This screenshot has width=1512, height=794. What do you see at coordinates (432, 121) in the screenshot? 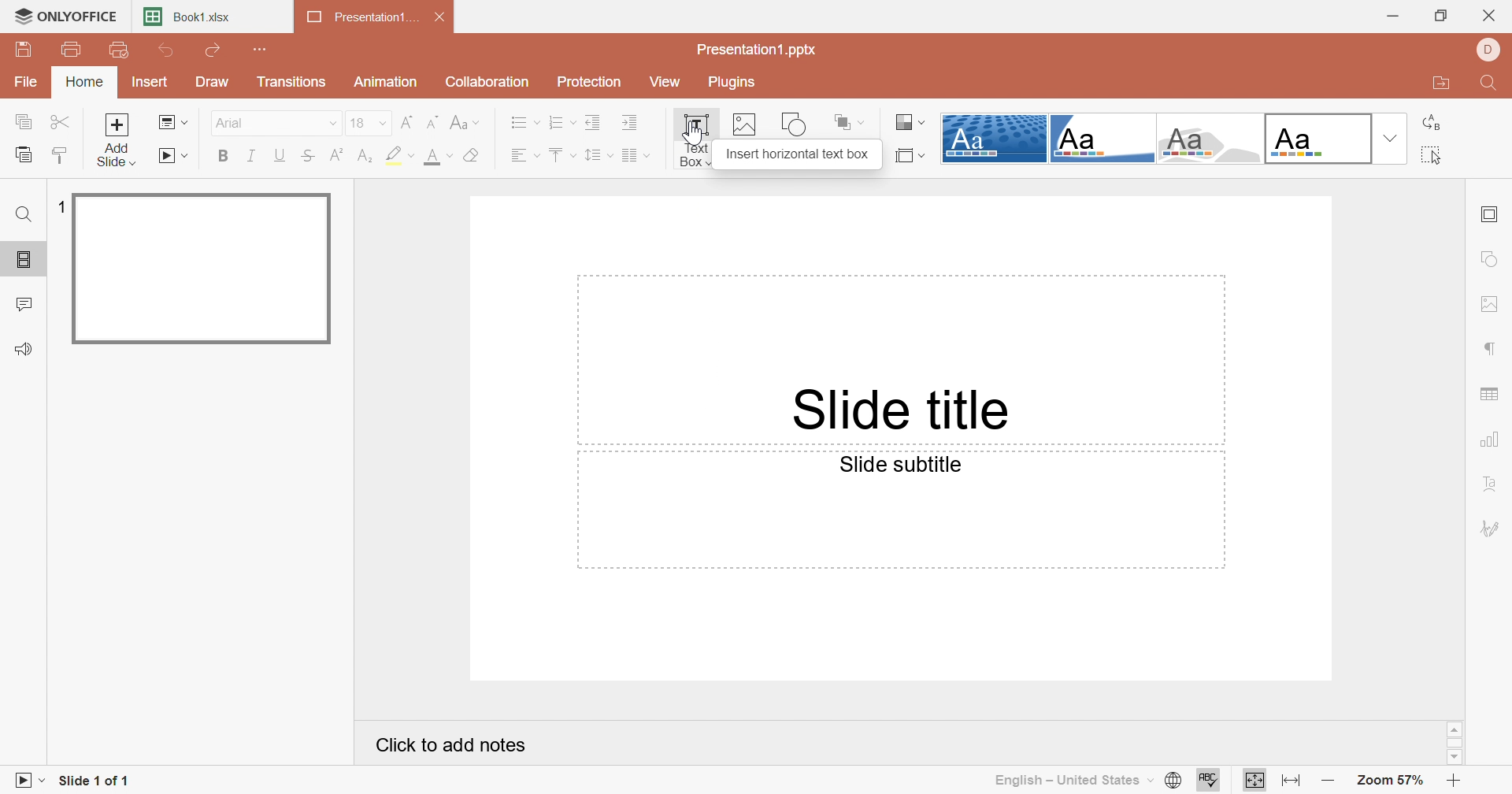
I see `Decrement font size` at bounding box center [432, 121].